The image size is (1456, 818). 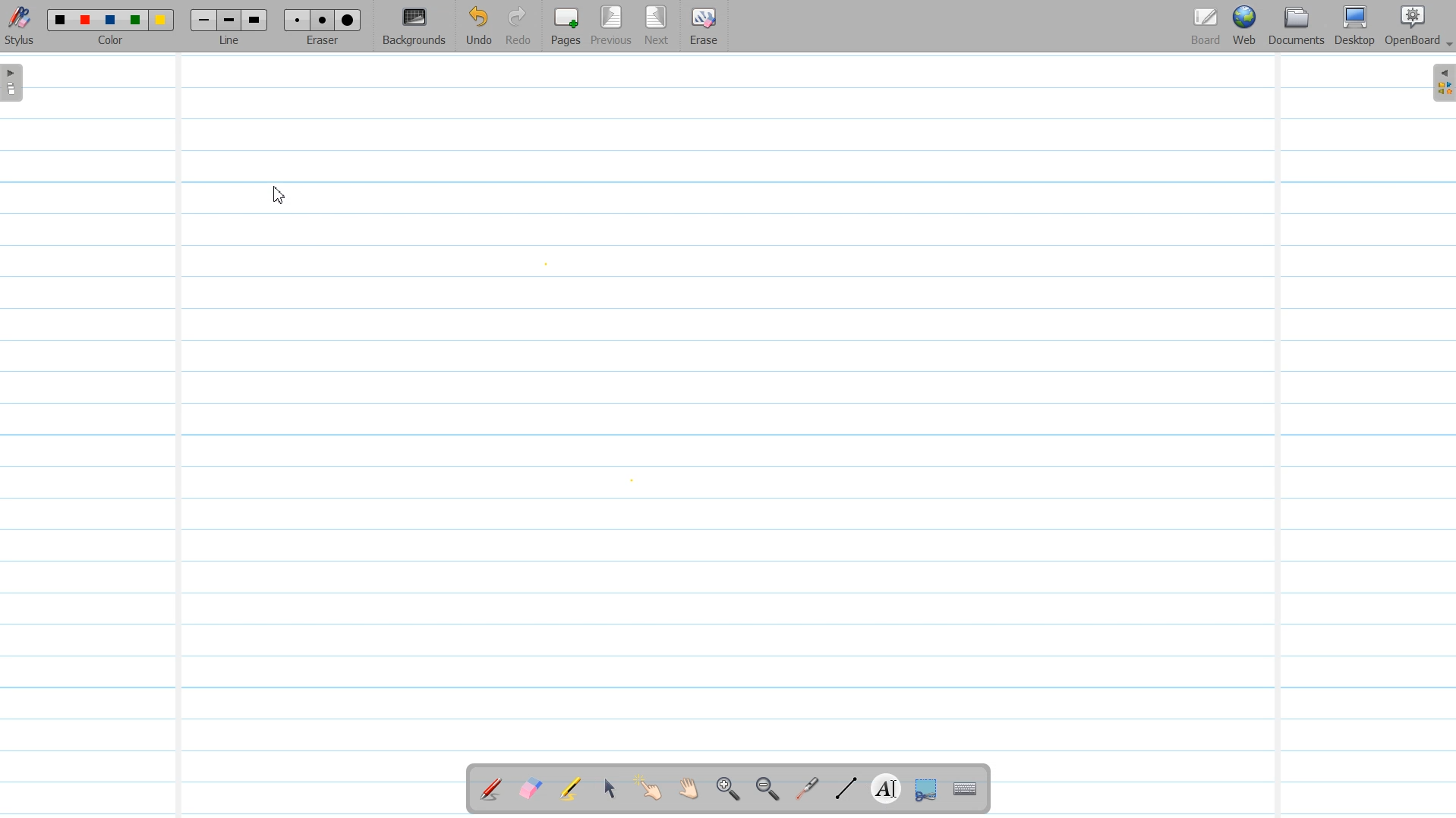 I want to click on Capture part of the screen, so click(x=924, y=790).